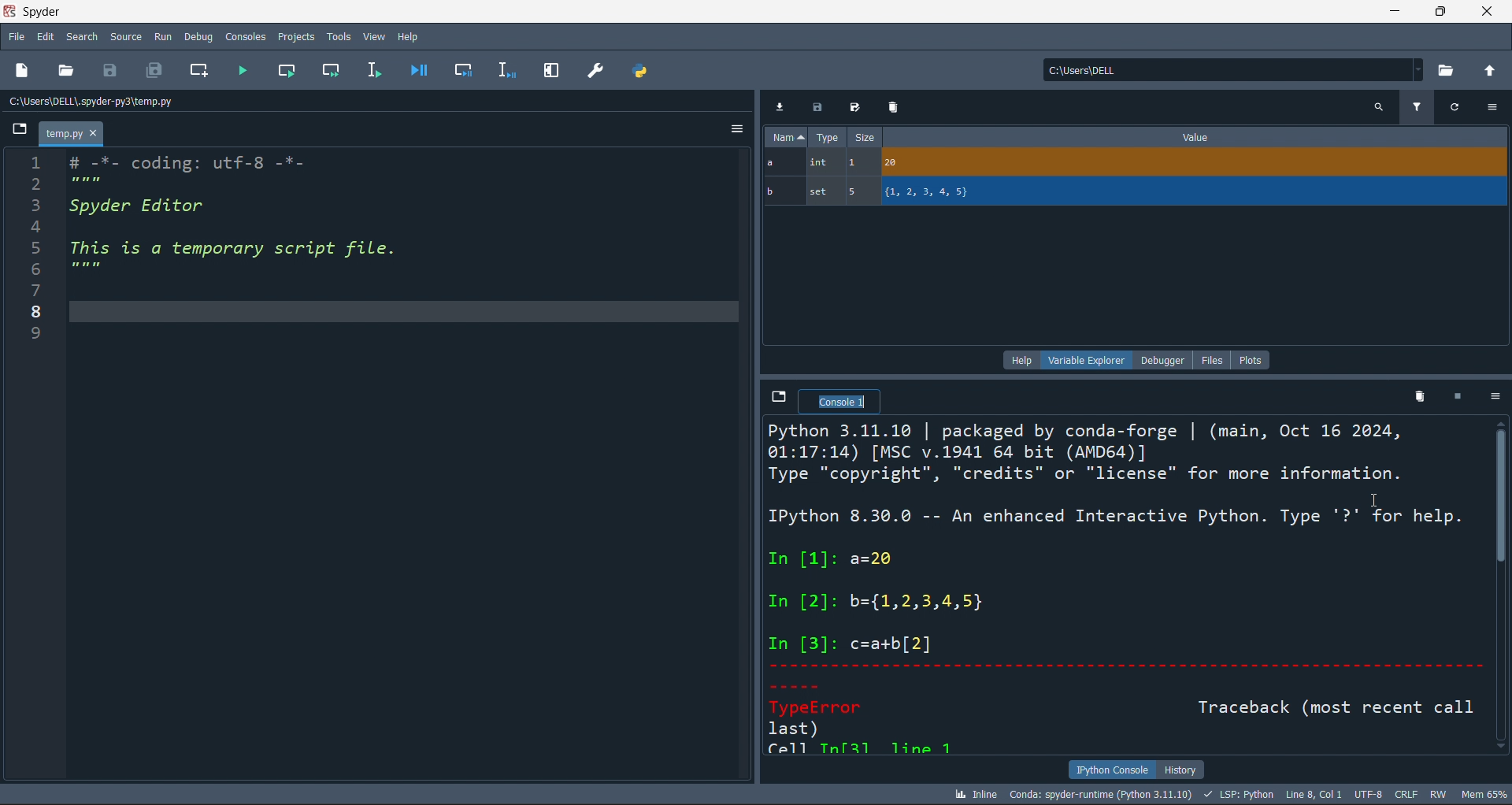  I want to click on temp.py, so click(72, 135).